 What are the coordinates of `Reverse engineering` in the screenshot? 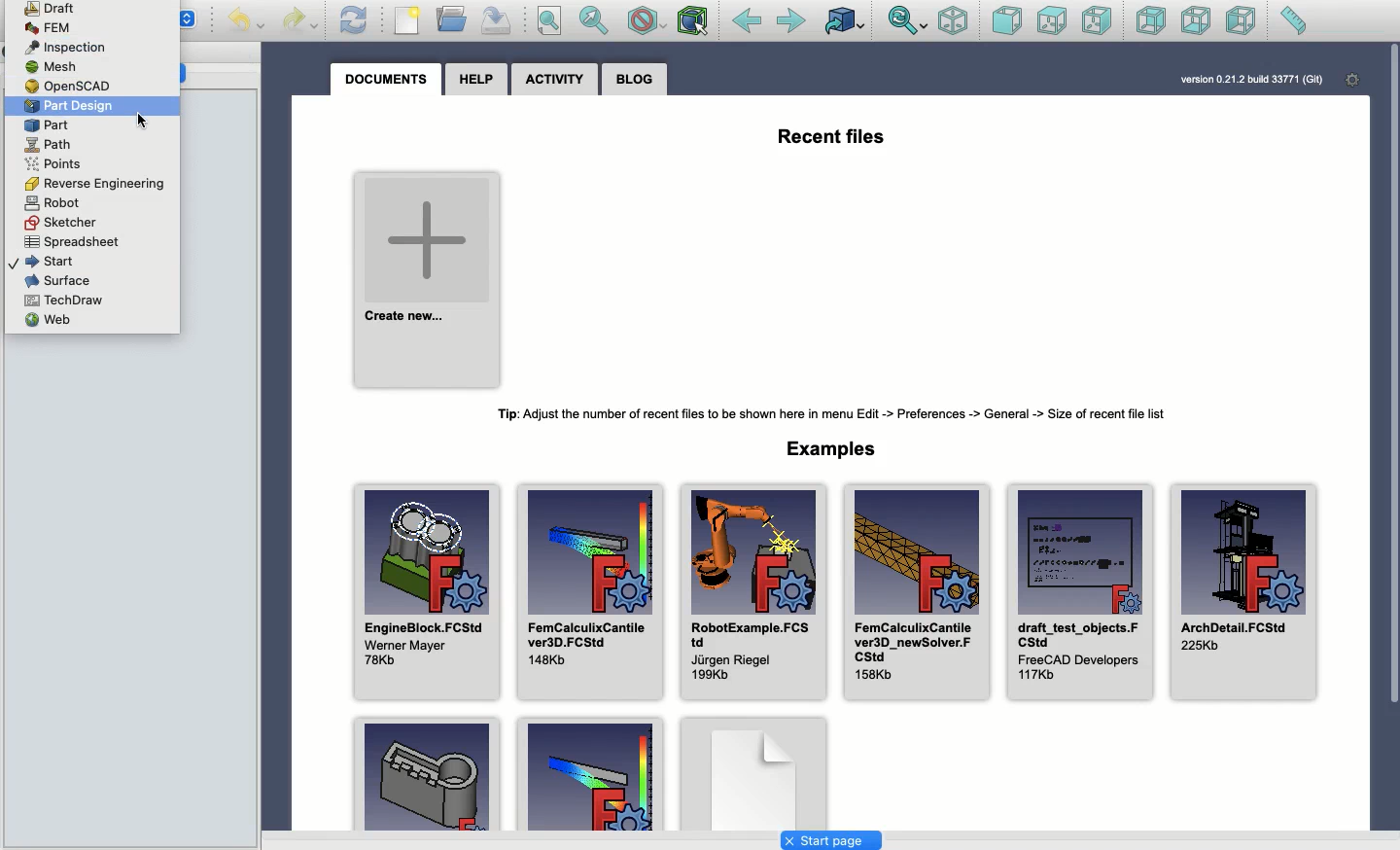 It's located at (96, 184).